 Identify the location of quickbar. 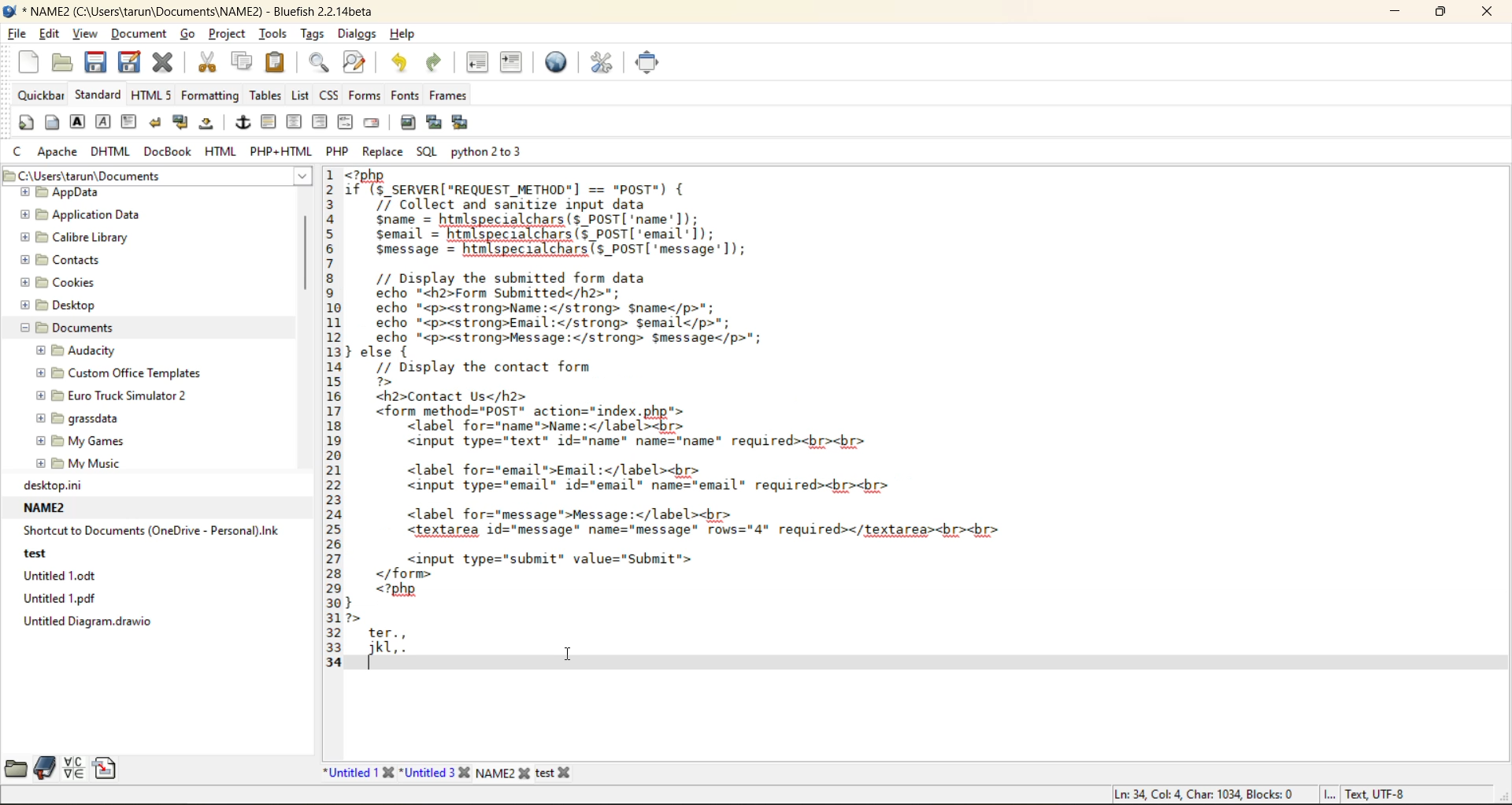
(43, 95).